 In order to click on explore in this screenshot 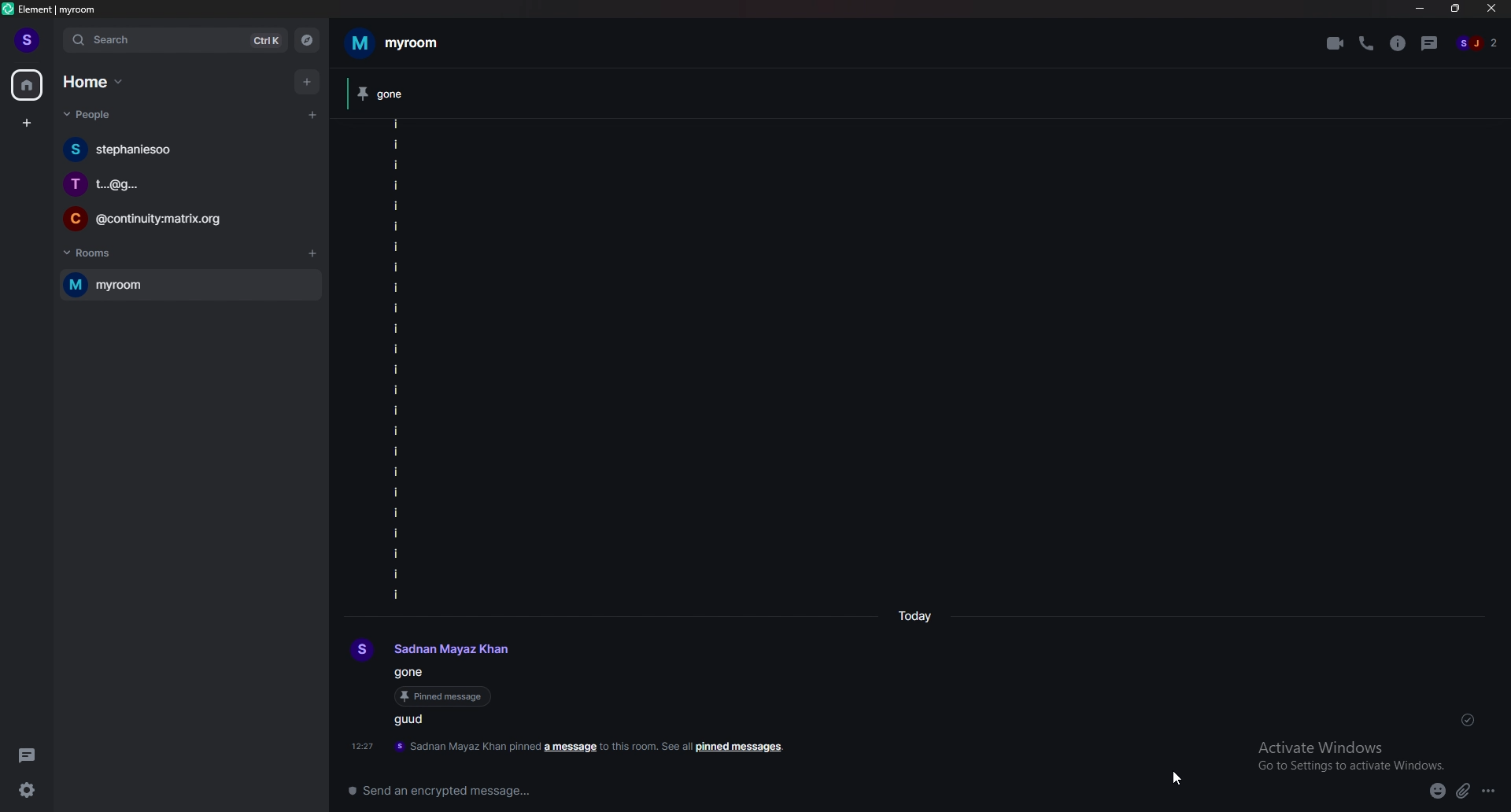, I will do `click(308, 39)`.